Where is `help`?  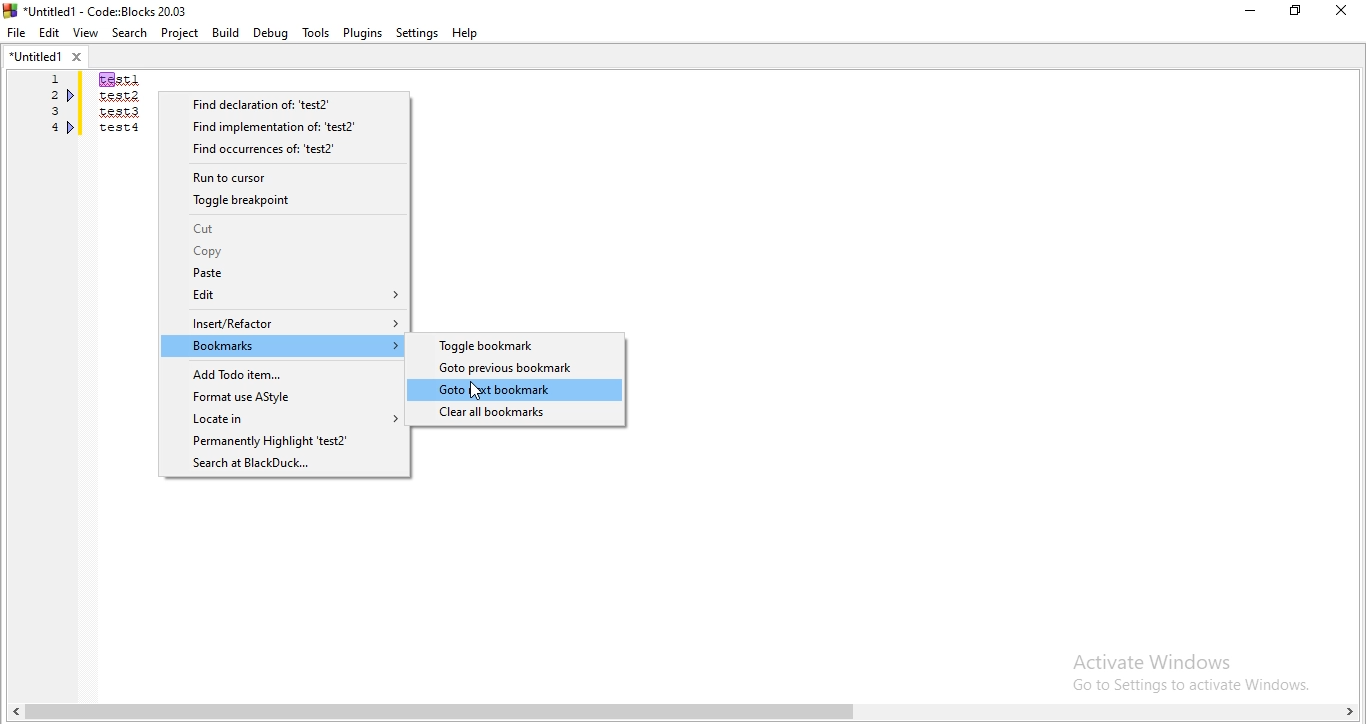
help is located at coordinates (467, 33).